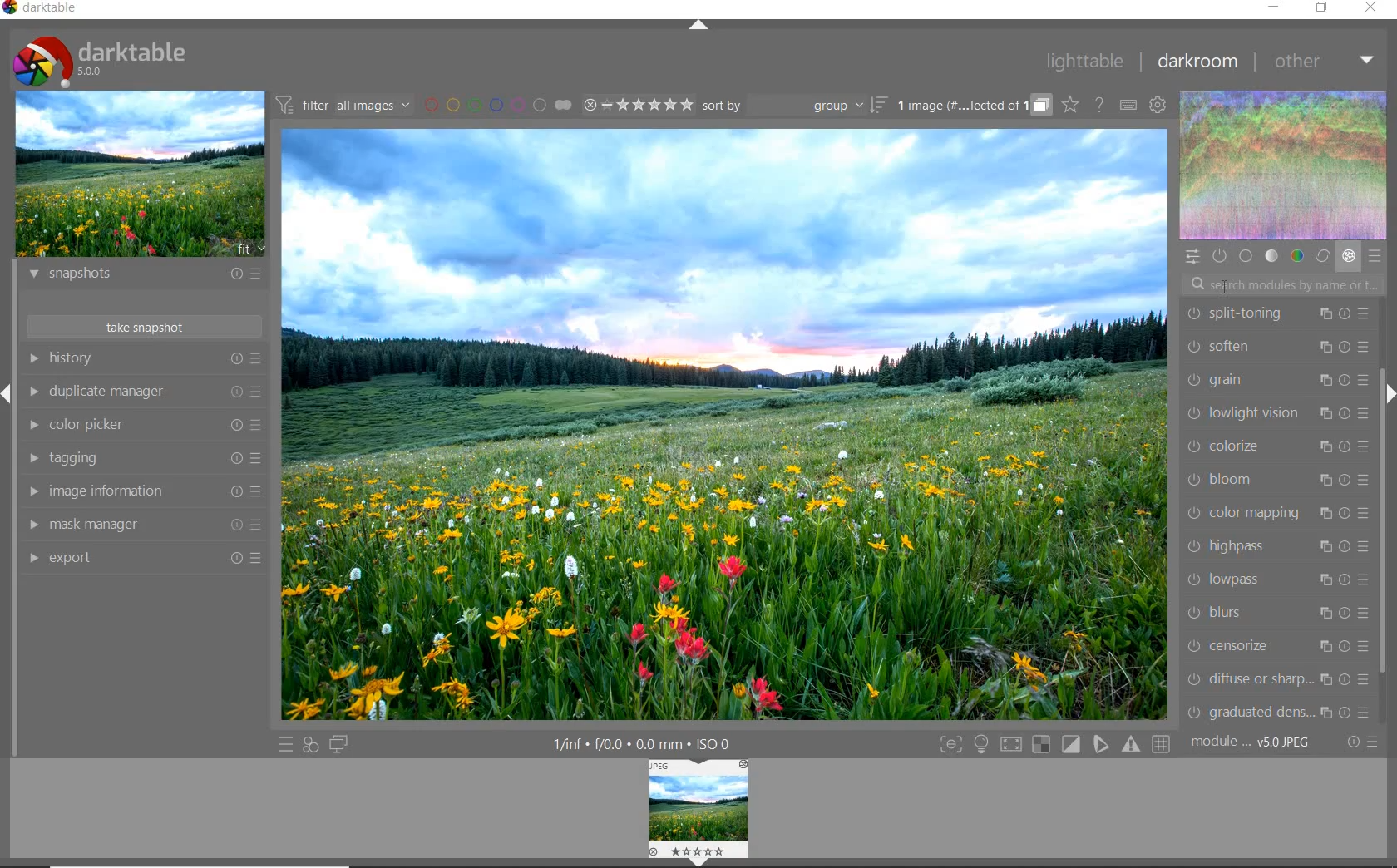 The width and height of the screenshot is (1397, 868). What do you see at coordinates (1273, 648) in the screenshot?
I see `censorize` at bounding box center [1273, 648].